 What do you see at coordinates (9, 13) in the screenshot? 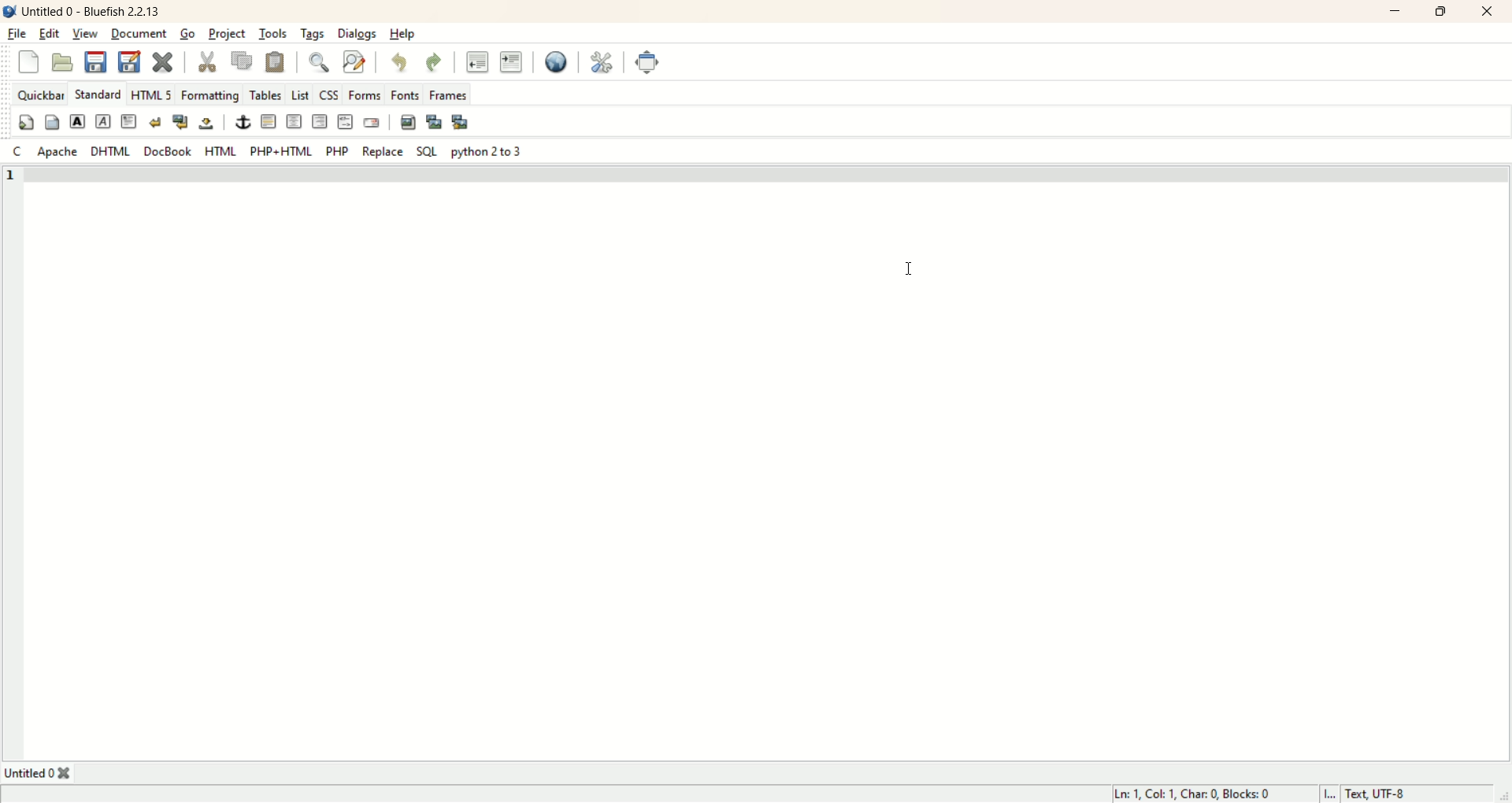
I see `logo` at bounding box center [9, 13].